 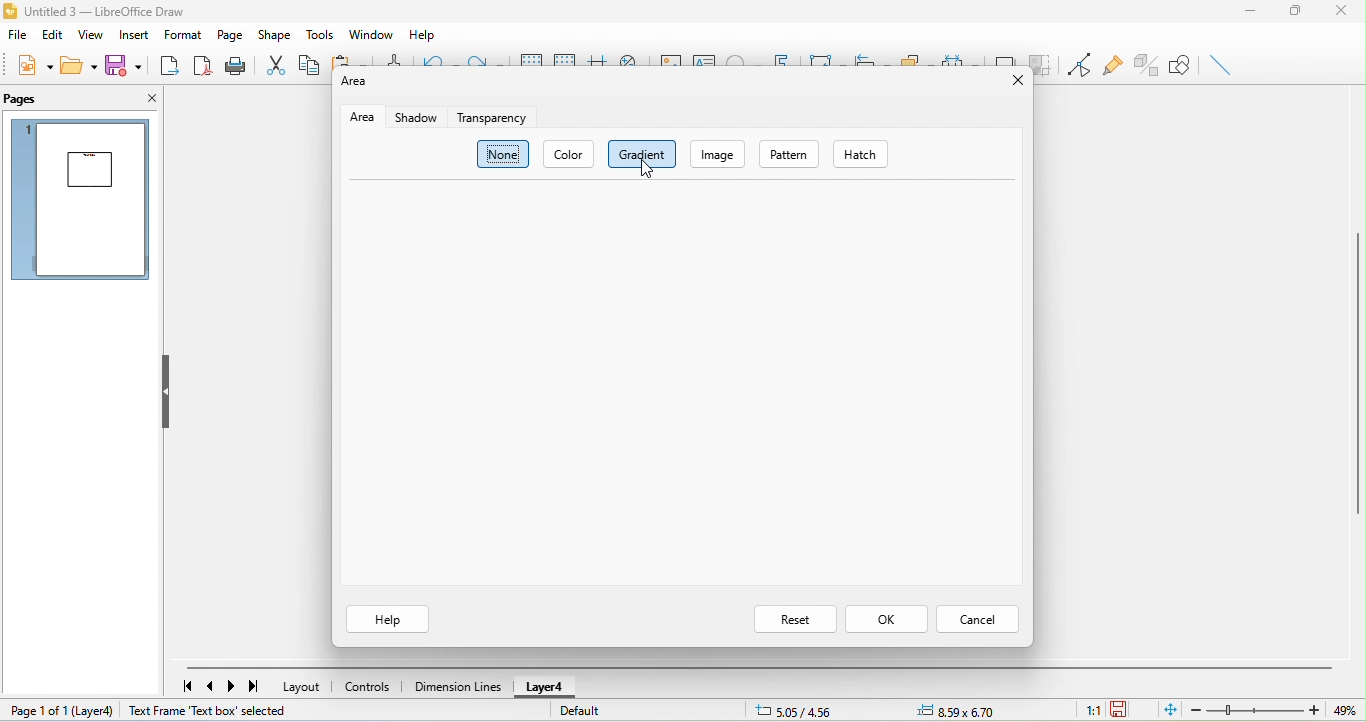 I want to click on undo, so click(x=437, y=56).